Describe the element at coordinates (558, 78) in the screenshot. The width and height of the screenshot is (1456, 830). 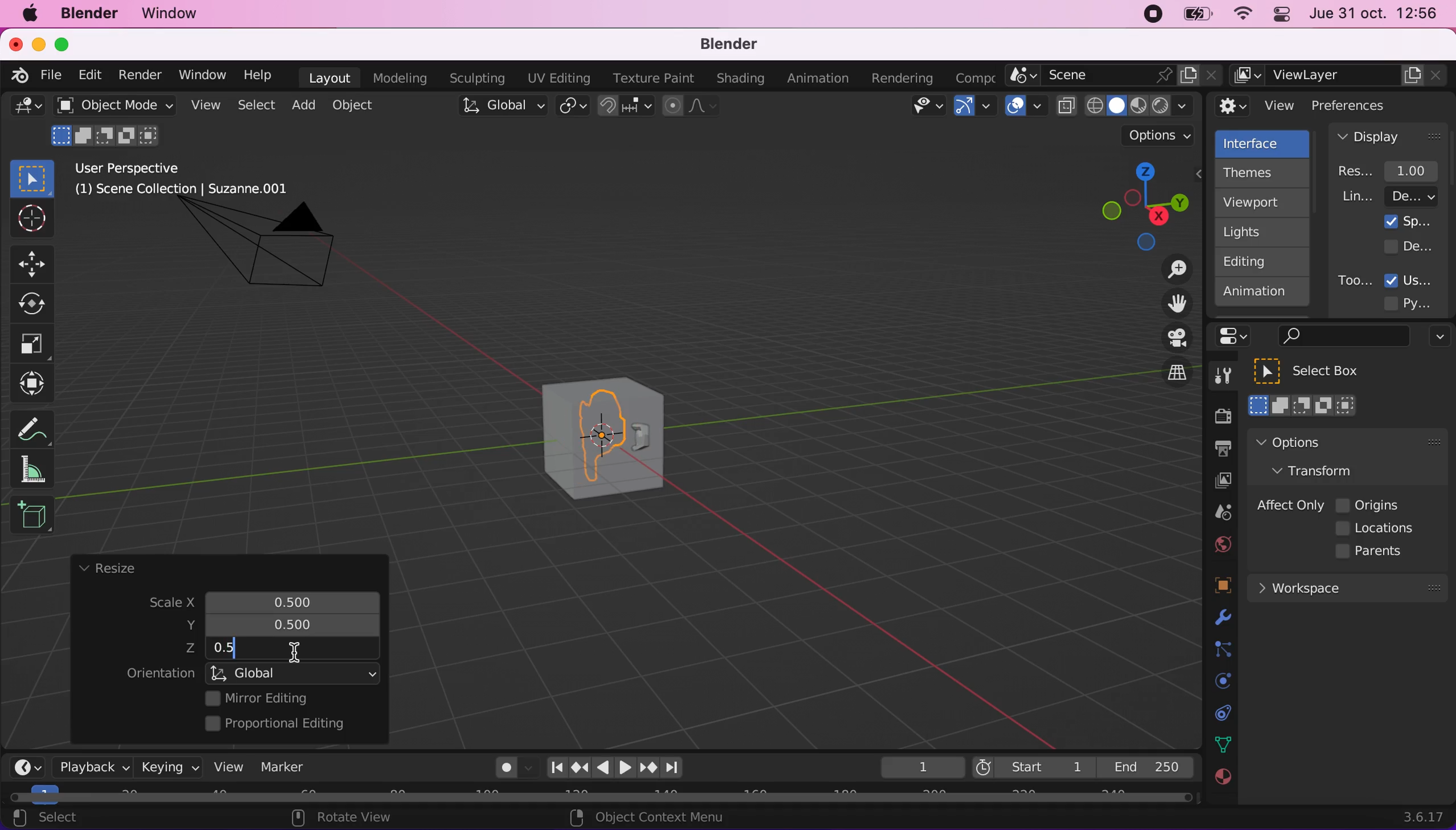
I see `uv editing` at that location.